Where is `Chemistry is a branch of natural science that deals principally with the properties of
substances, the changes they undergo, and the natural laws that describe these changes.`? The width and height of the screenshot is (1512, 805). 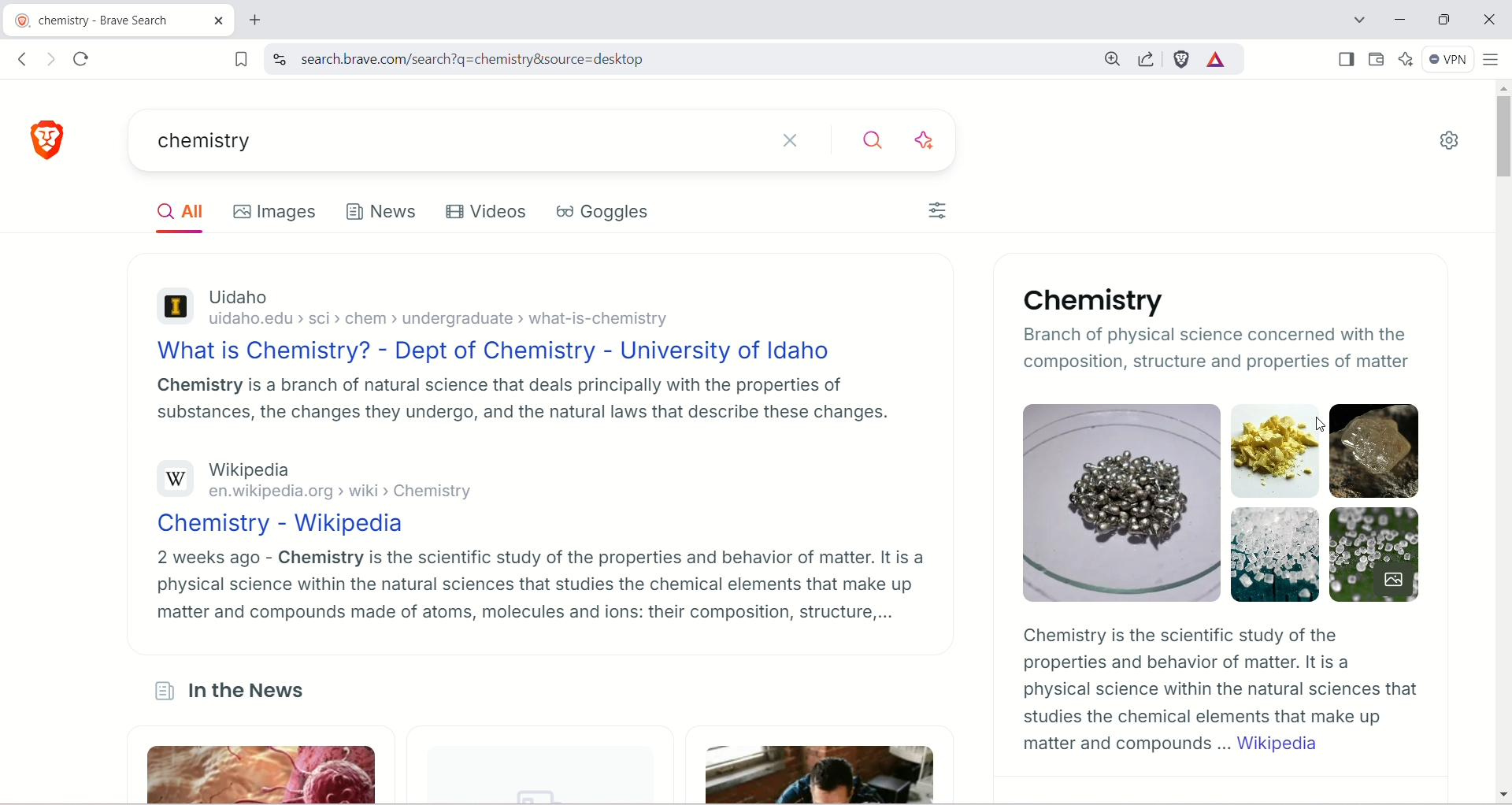
Chemistry is a branch of natural science that deals principally with the properties of
substances, the changes they undergo, and the natural laws that describe these changes. is located at coordinates (520, 402).